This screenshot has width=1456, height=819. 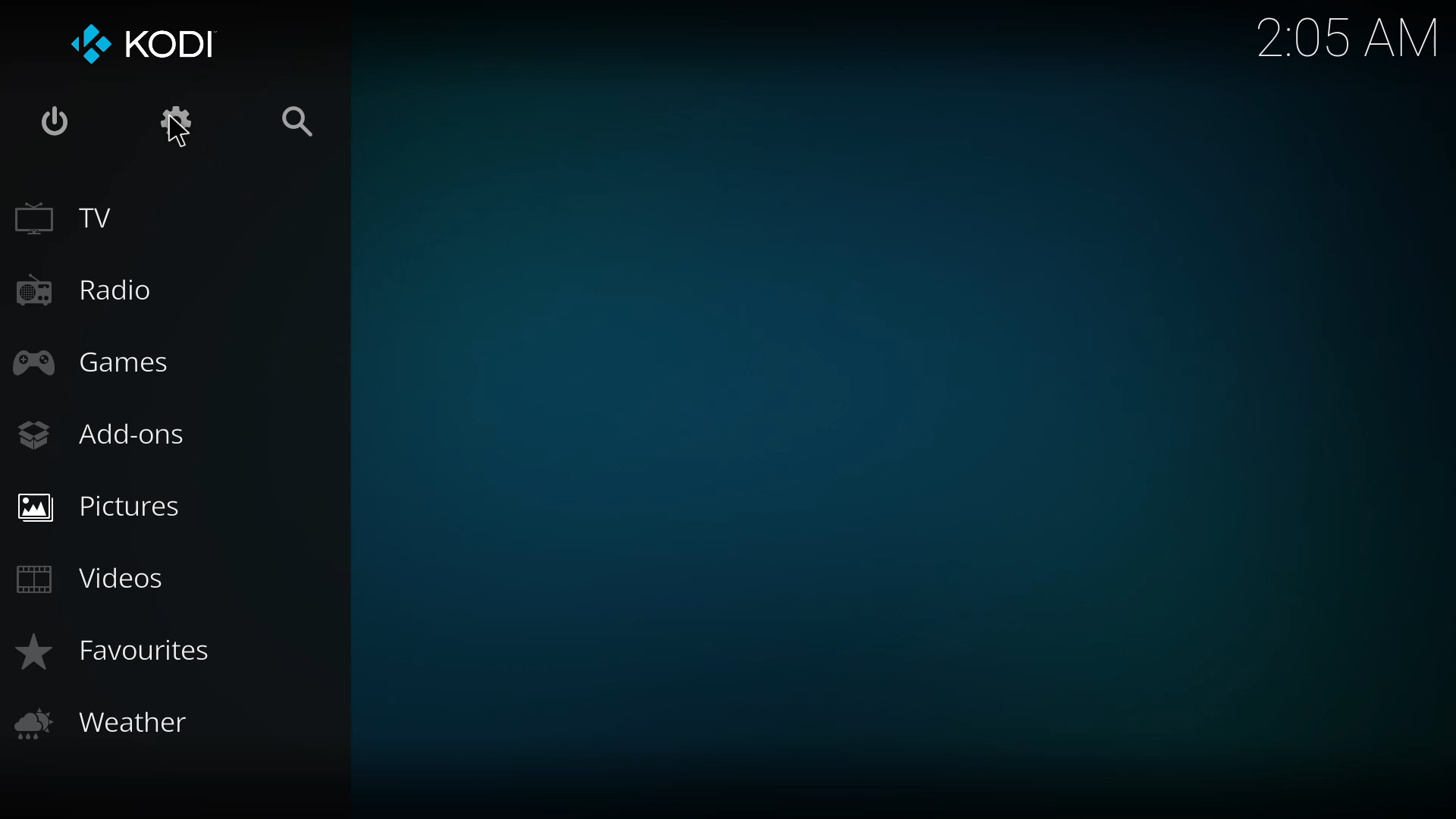 I want to click on favorites, so click(x=115, y=651).